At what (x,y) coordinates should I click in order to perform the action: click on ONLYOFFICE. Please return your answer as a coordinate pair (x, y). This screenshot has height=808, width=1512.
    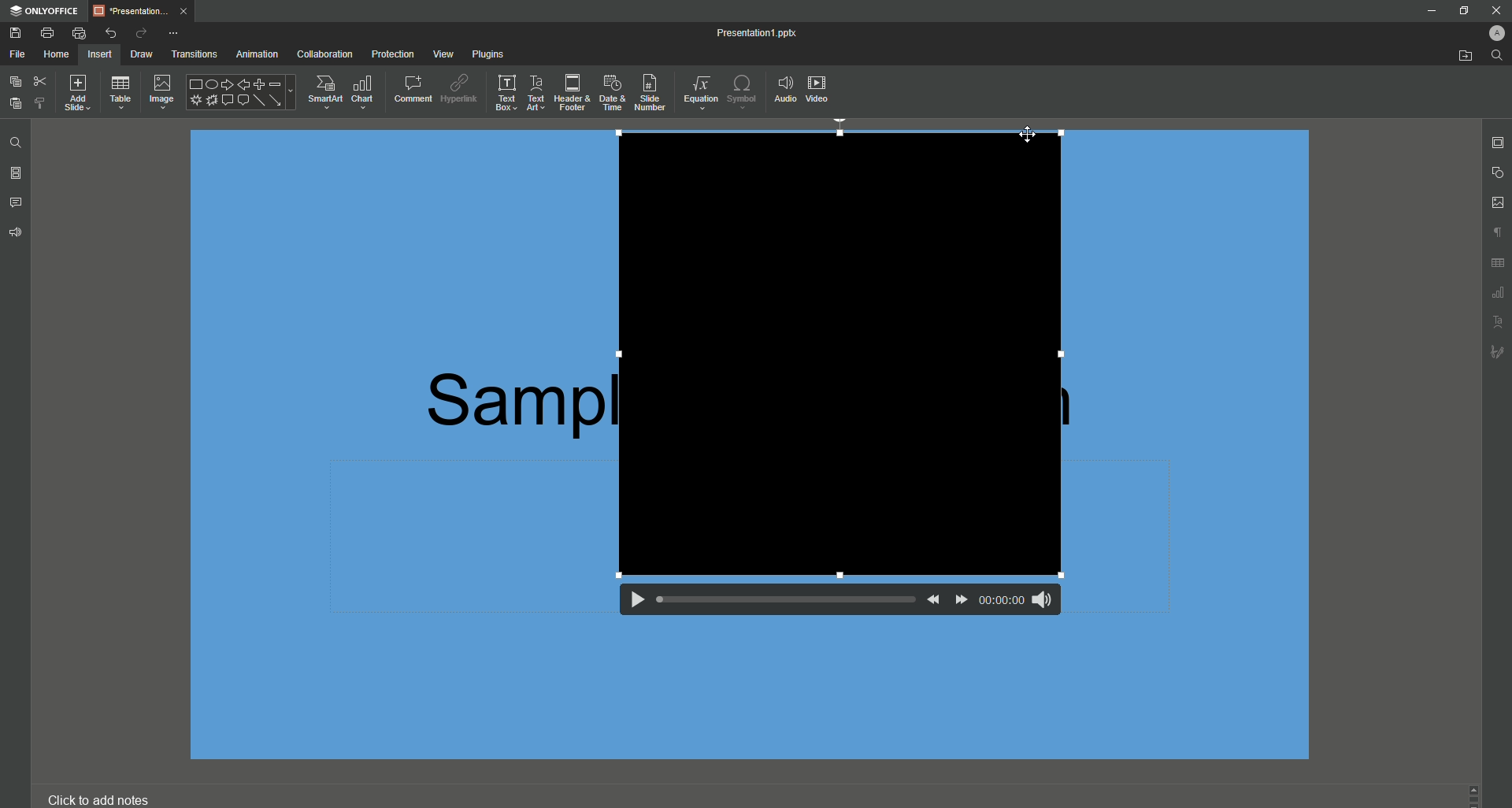
    Looking at the image, I should click on (46, 9).